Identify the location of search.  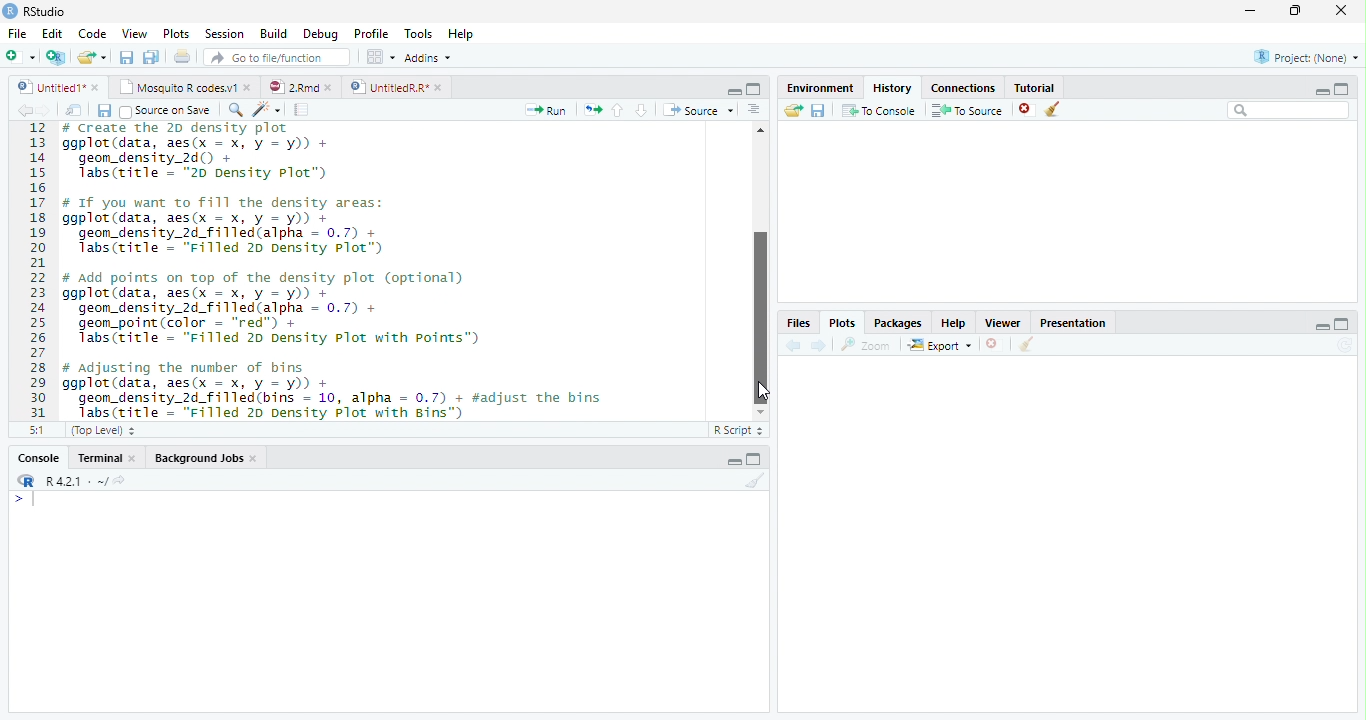
(232, 109).